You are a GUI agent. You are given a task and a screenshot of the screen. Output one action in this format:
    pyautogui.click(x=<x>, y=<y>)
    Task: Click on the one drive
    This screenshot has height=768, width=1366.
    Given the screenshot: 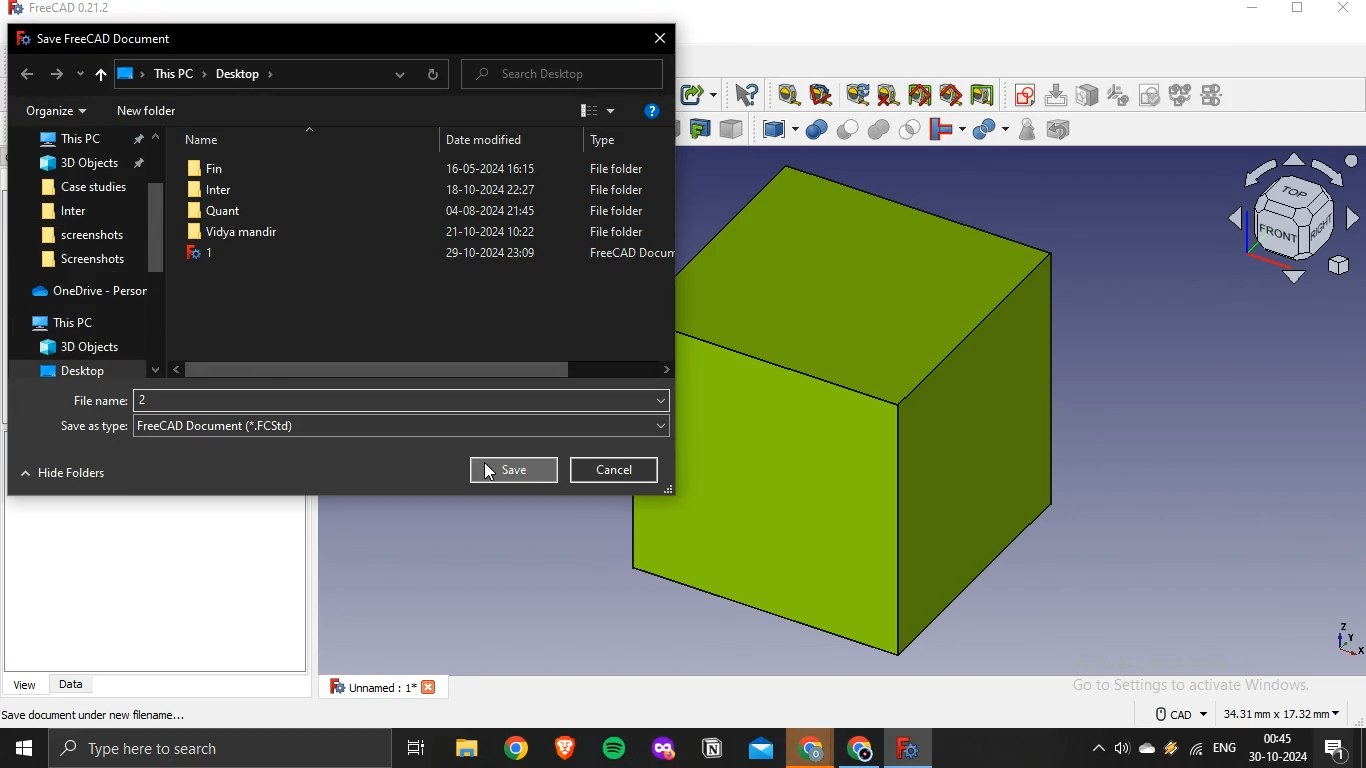 What is the action you would take?
    pyautogui.click(x=80, y=292)
    